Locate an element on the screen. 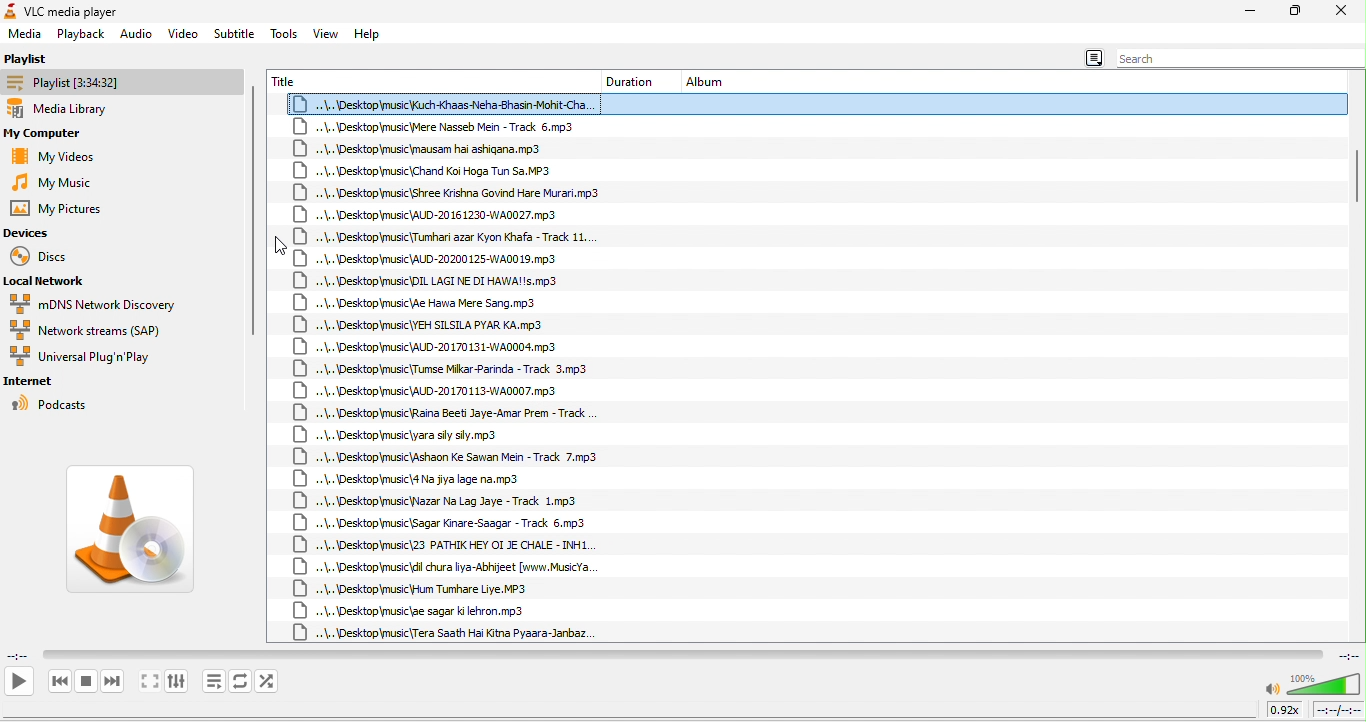  my pictures is located at coordinates (69, 210).